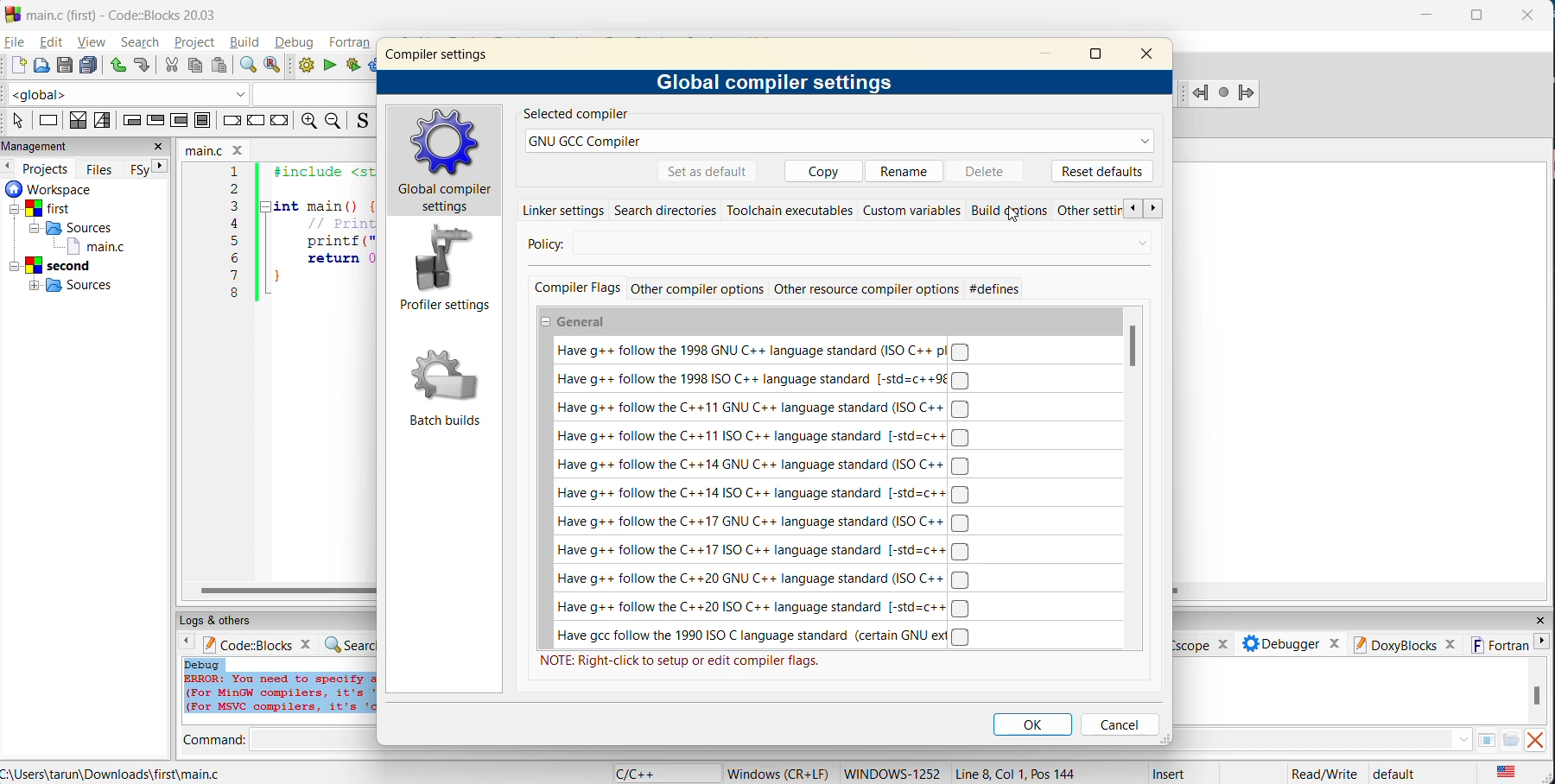 The image size is (1555, 784). What do you see at coordinates (561, 245) in the screenshot?
I see `policy` at bounding box center [561, 245].